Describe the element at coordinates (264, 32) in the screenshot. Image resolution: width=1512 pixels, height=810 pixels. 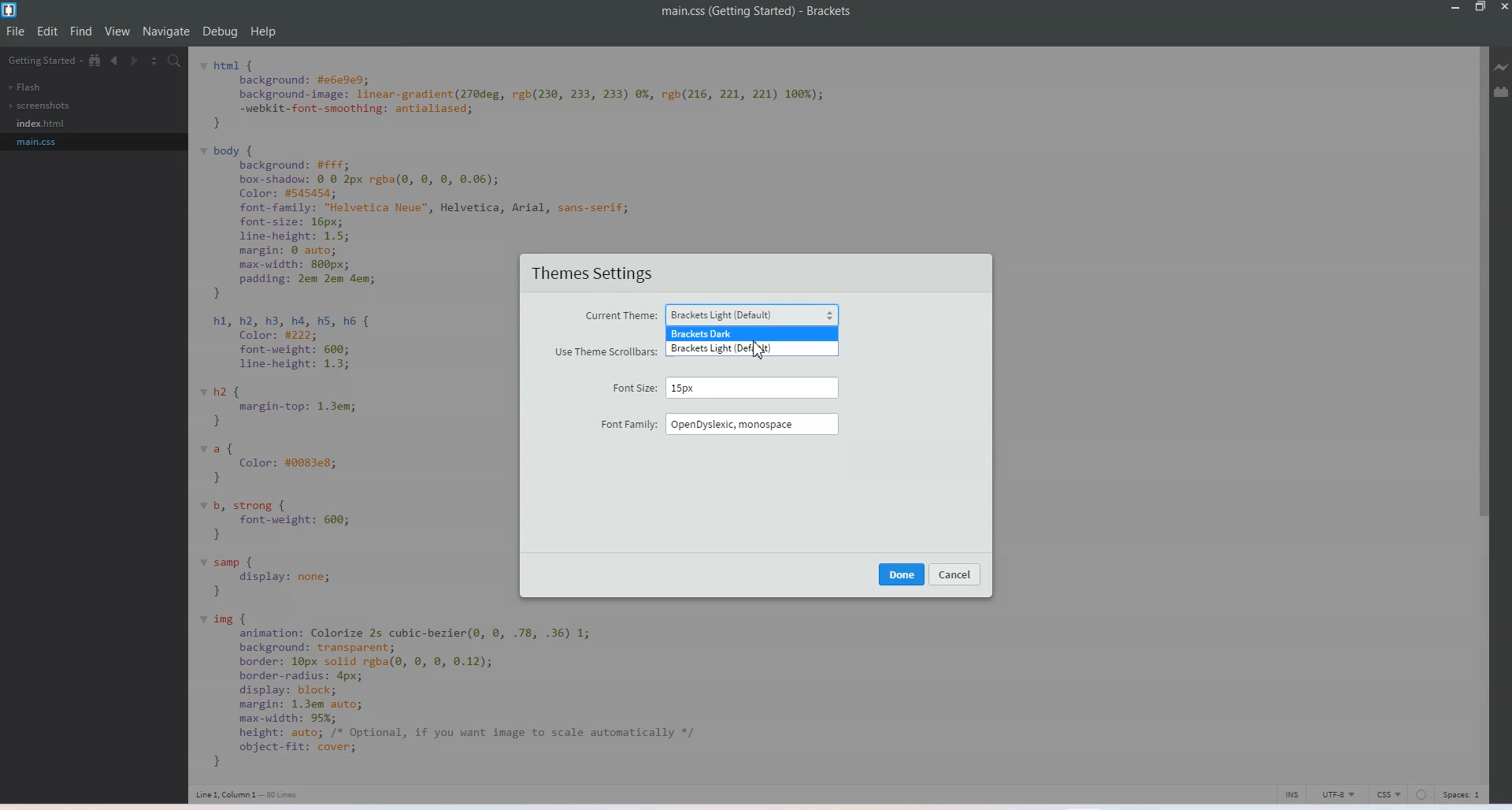
I see `Help` at that location.